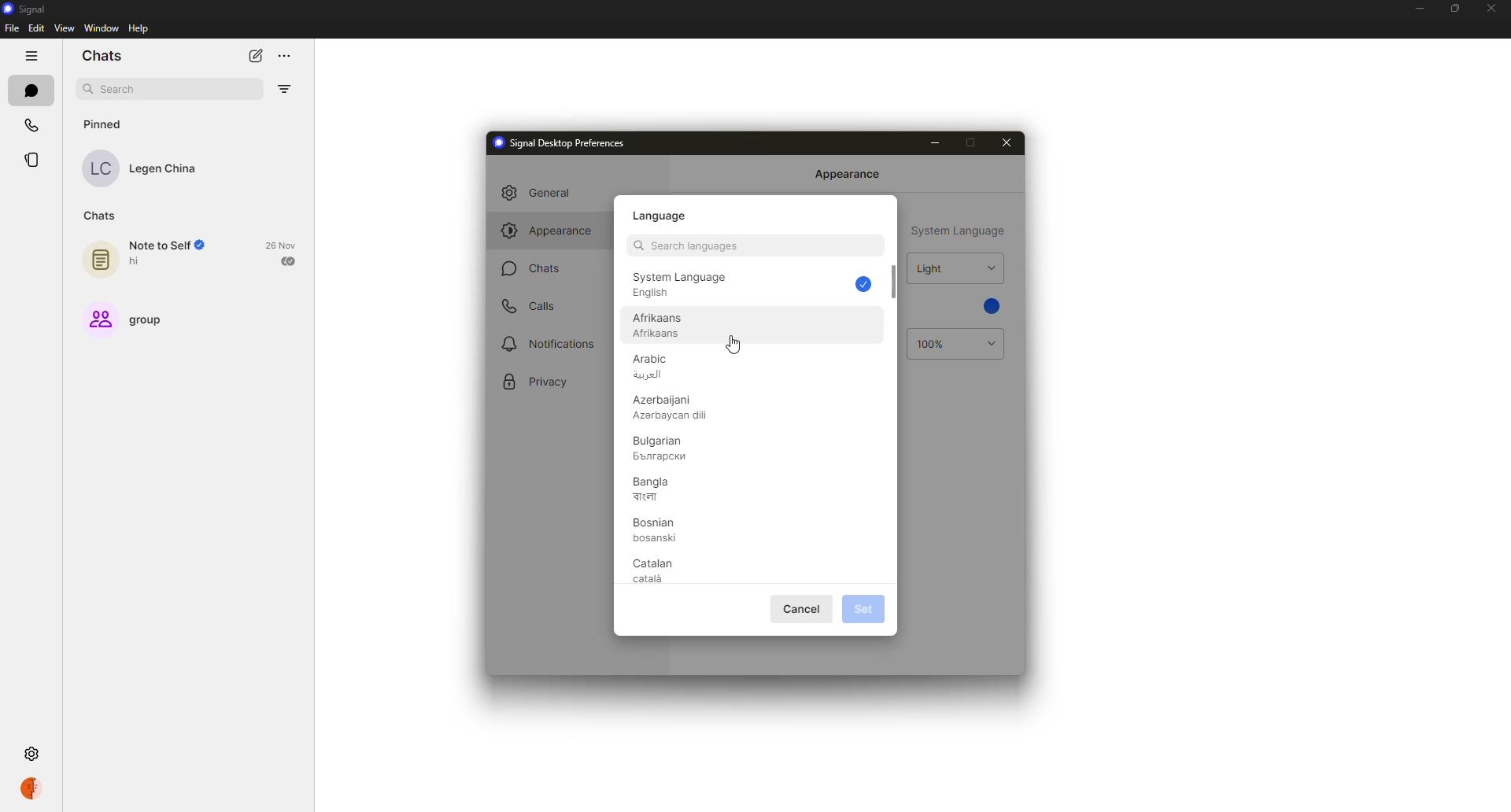 The image size is (1511, 812). What do you see at coordinates (151, 168) in the screenshot?
I see `contact` at bounding box center [151, 168].